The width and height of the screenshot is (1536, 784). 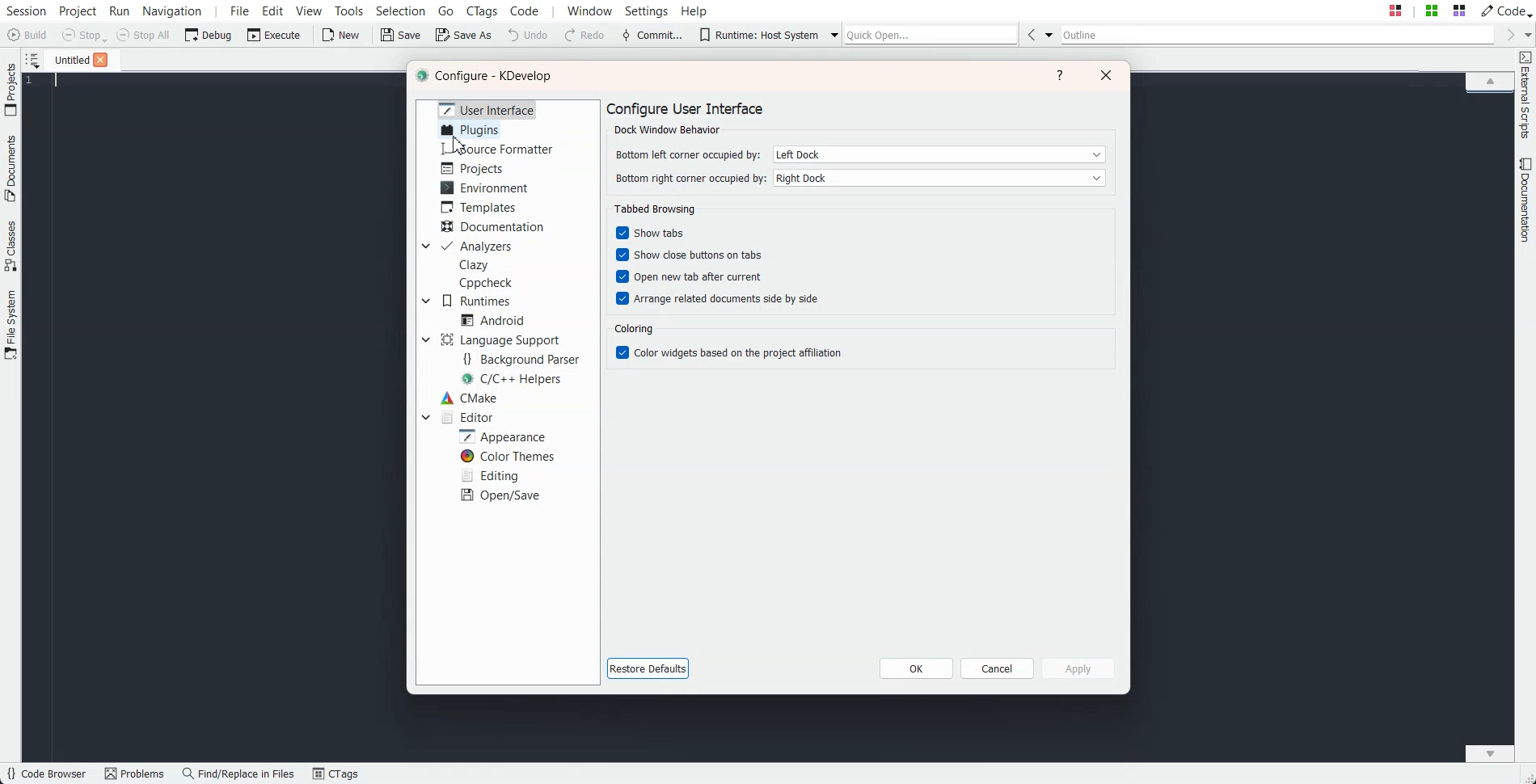 I want to click on Language Support, so click(x=504, y=339).